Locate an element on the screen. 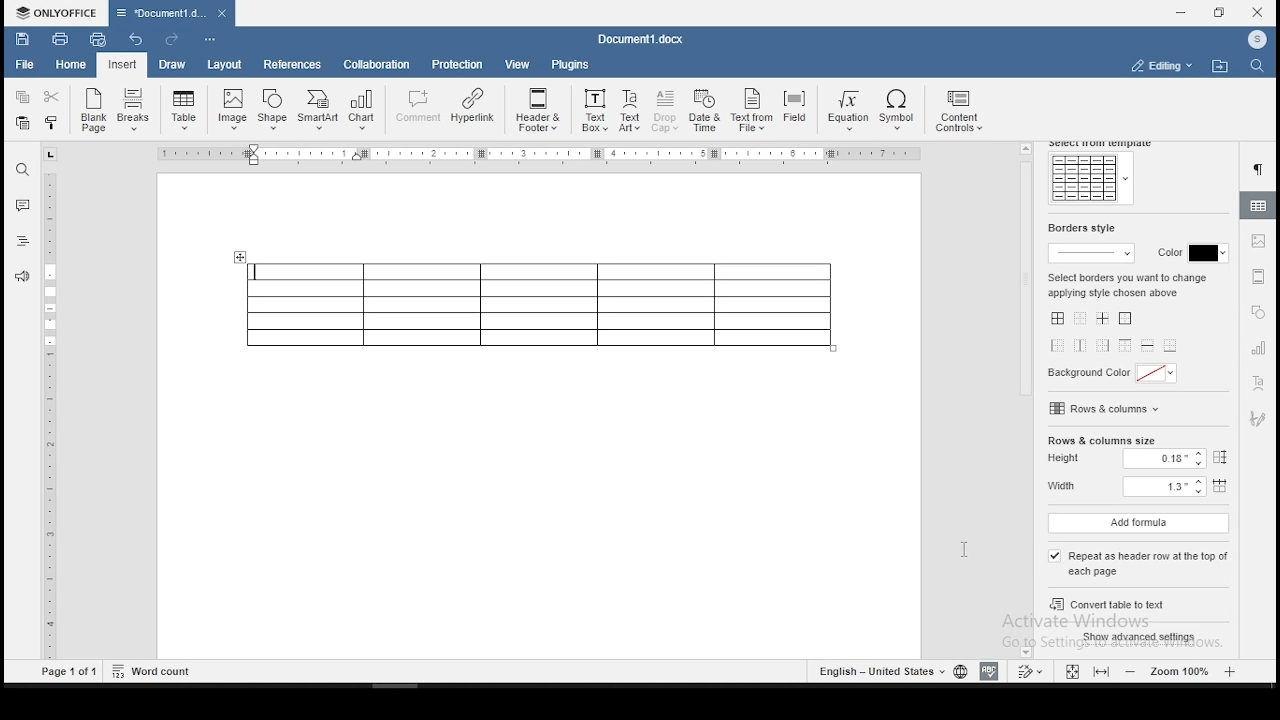 The height and width of the screenshot is (720, 1280). SmartArt is located at coordinates (317, 110).